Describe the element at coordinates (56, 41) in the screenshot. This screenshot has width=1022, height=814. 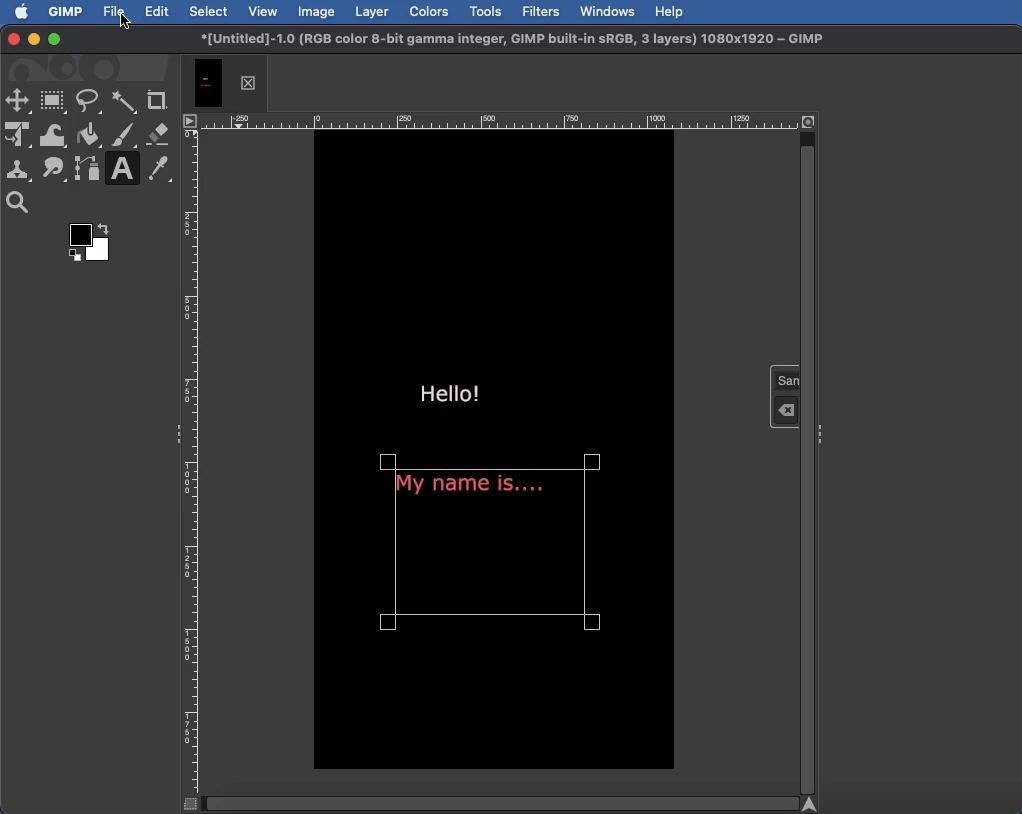
I see `Maximize` at that location.